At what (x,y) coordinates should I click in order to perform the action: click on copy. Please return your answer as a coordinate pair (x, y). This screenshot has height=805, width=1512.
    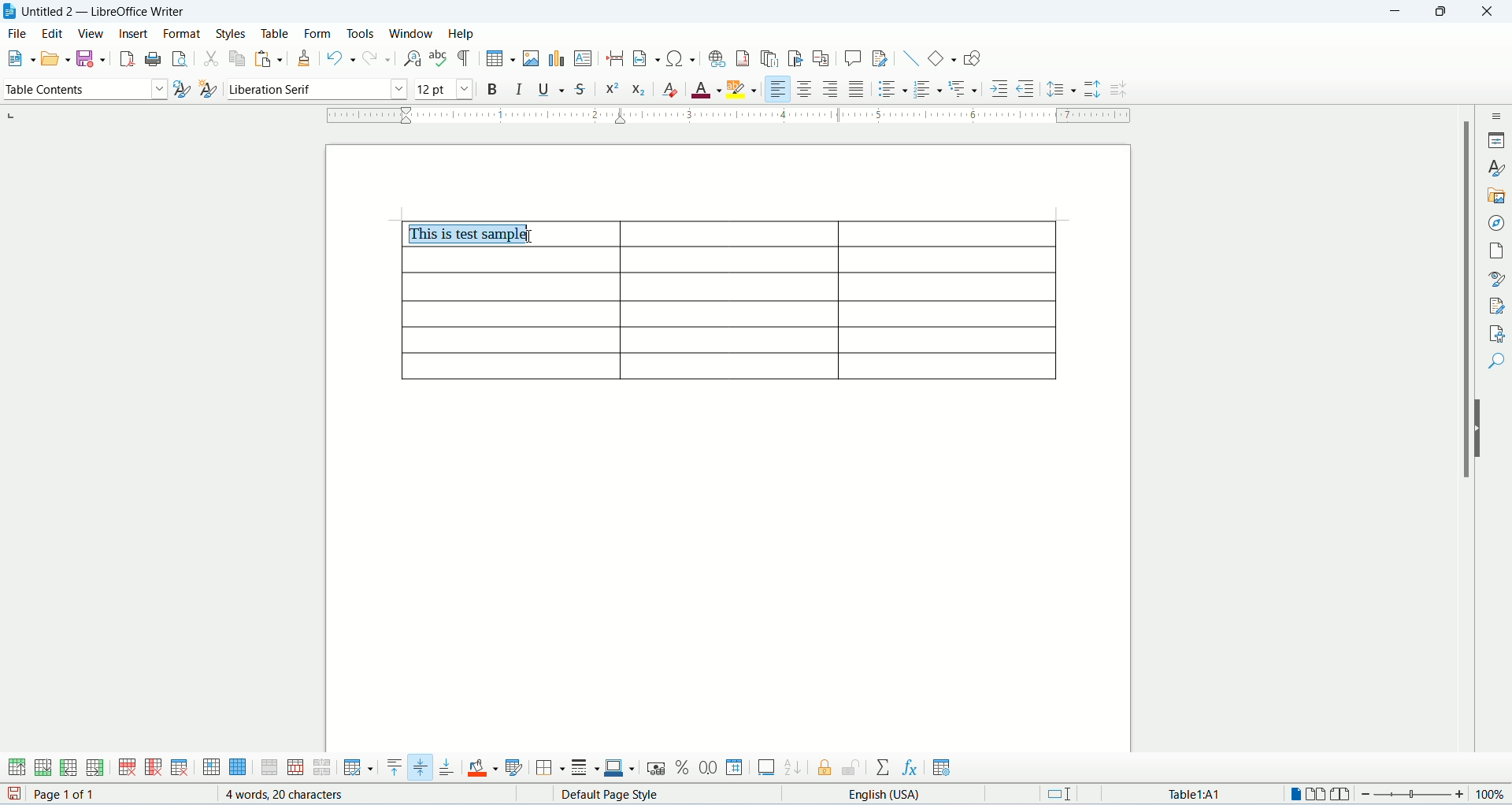
    Looking at the image, I should click on (237, 58).